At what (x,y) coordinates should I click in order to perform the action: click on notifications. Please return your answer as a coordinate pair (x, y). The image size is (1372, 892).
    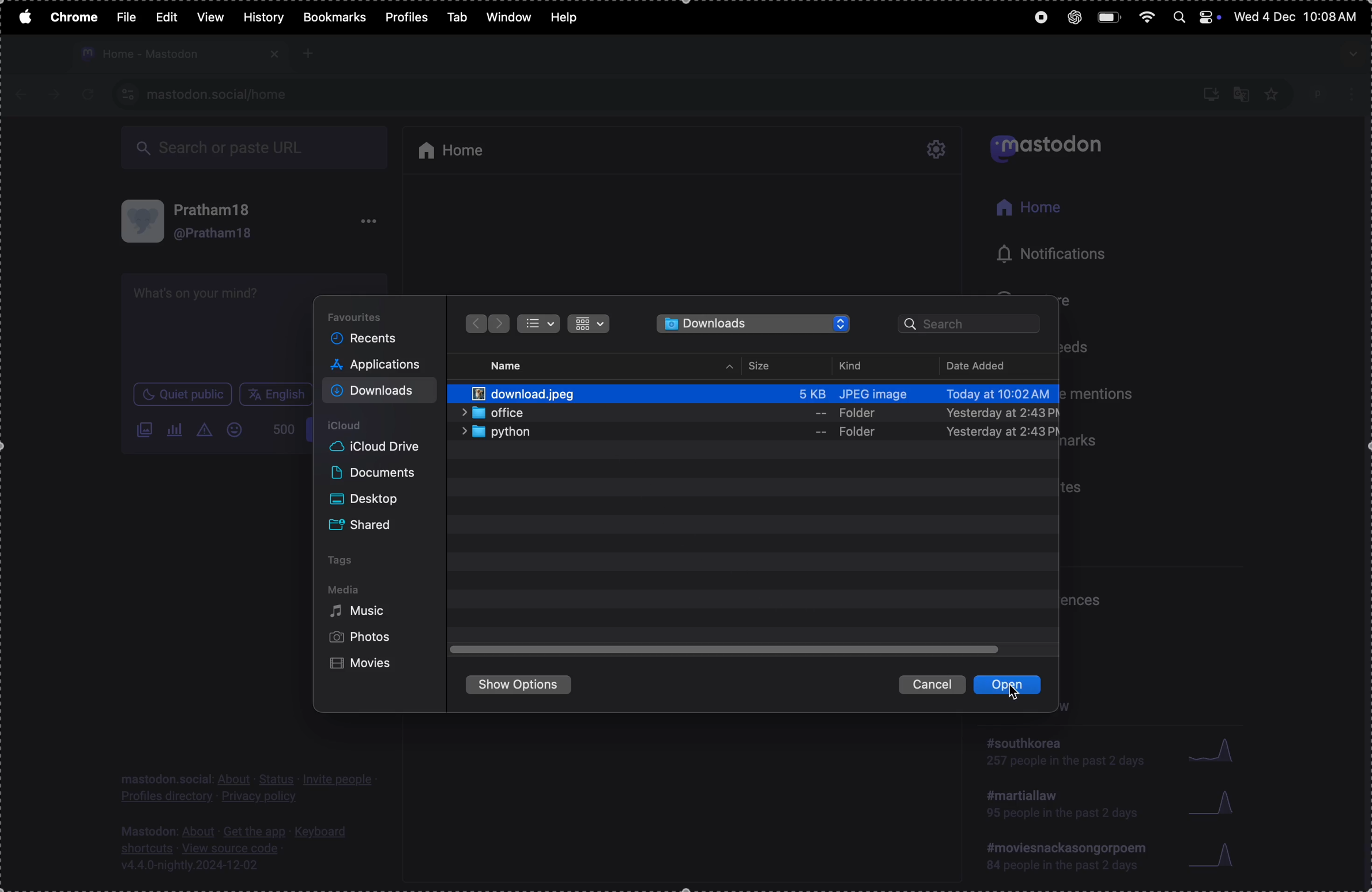
    Looking at the image, I should click on (1041, 254).